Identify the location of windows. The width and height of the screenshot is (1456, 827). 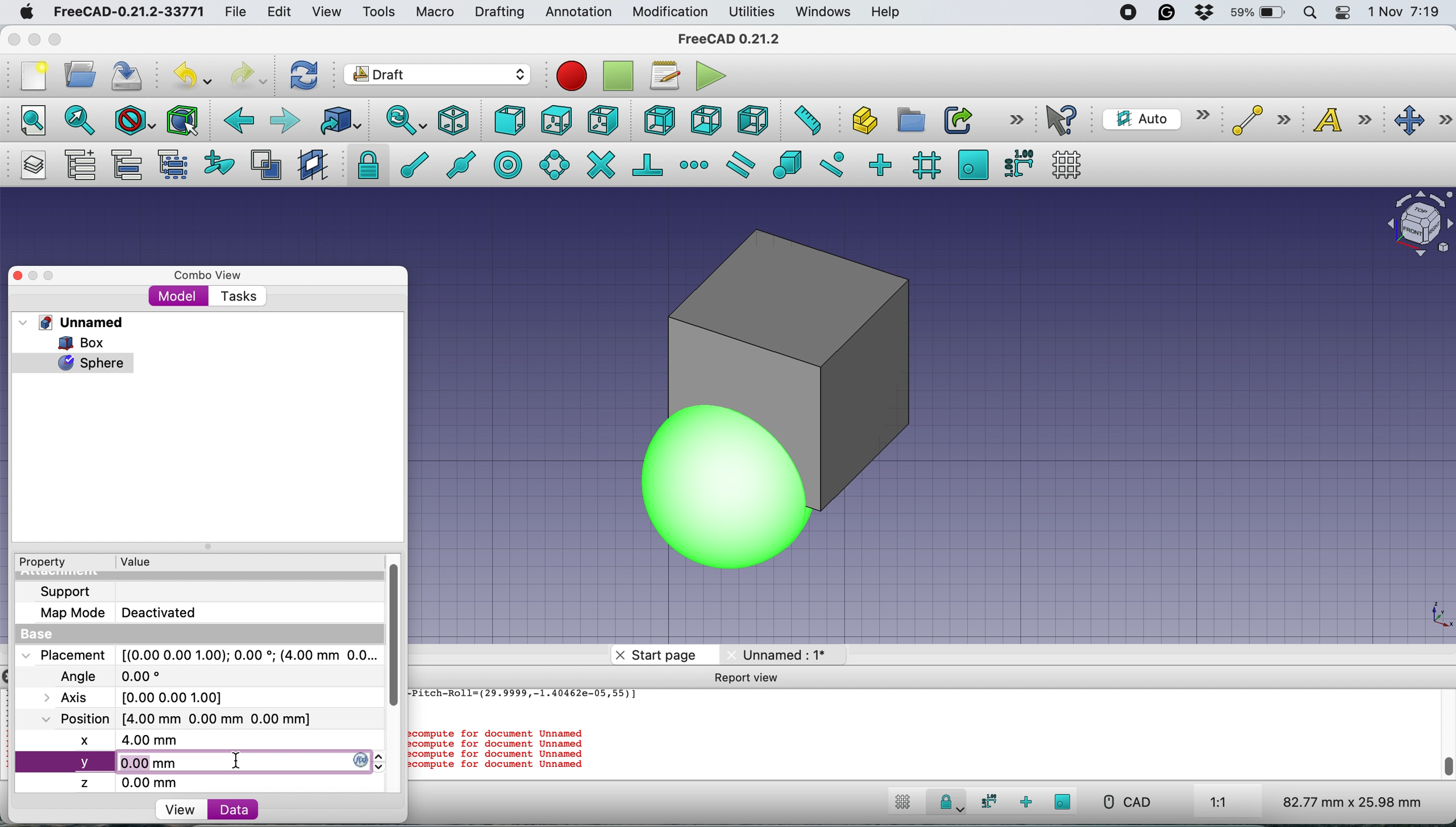
(825, 12).